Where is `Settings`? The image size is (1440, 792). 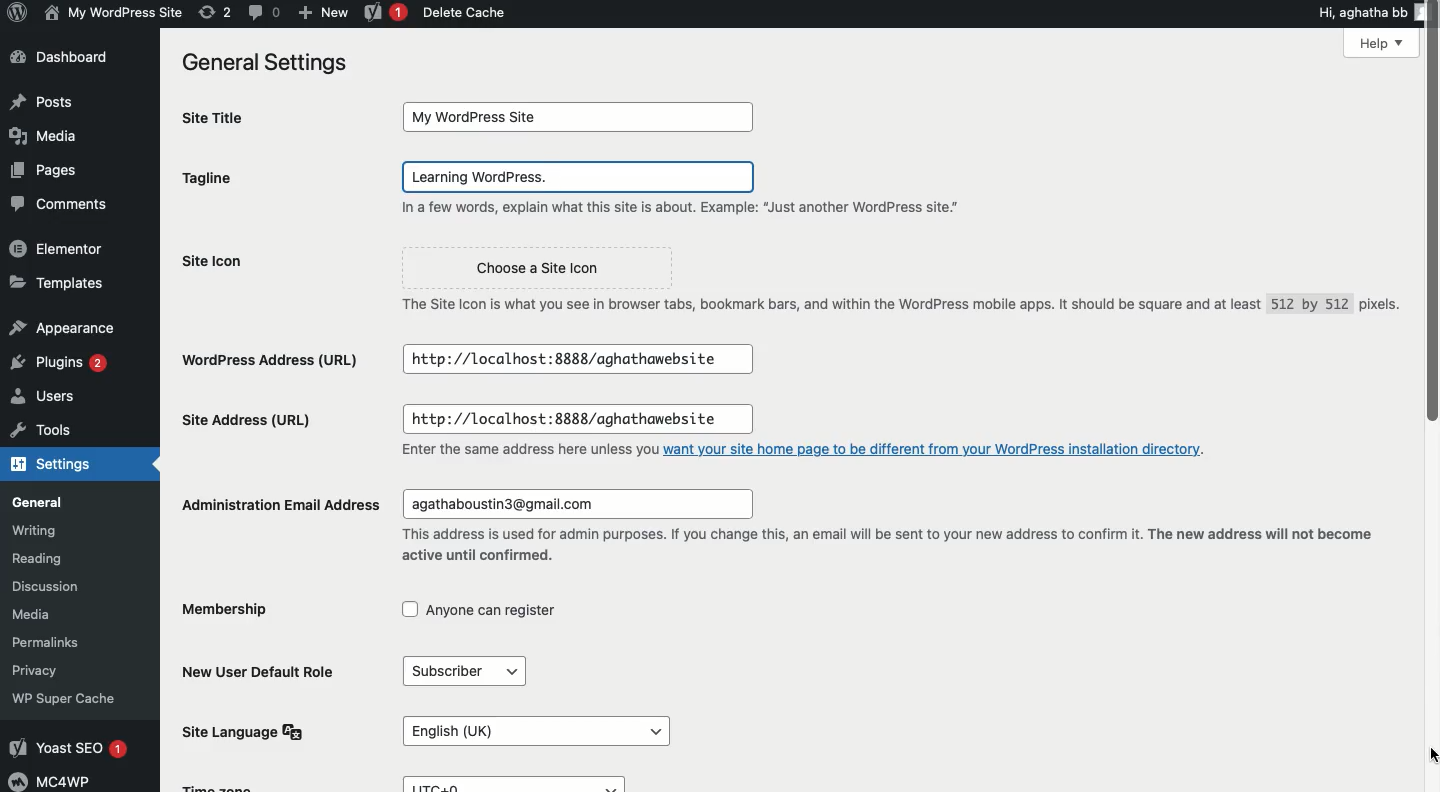 Settings is located at coordinates (72, 467).